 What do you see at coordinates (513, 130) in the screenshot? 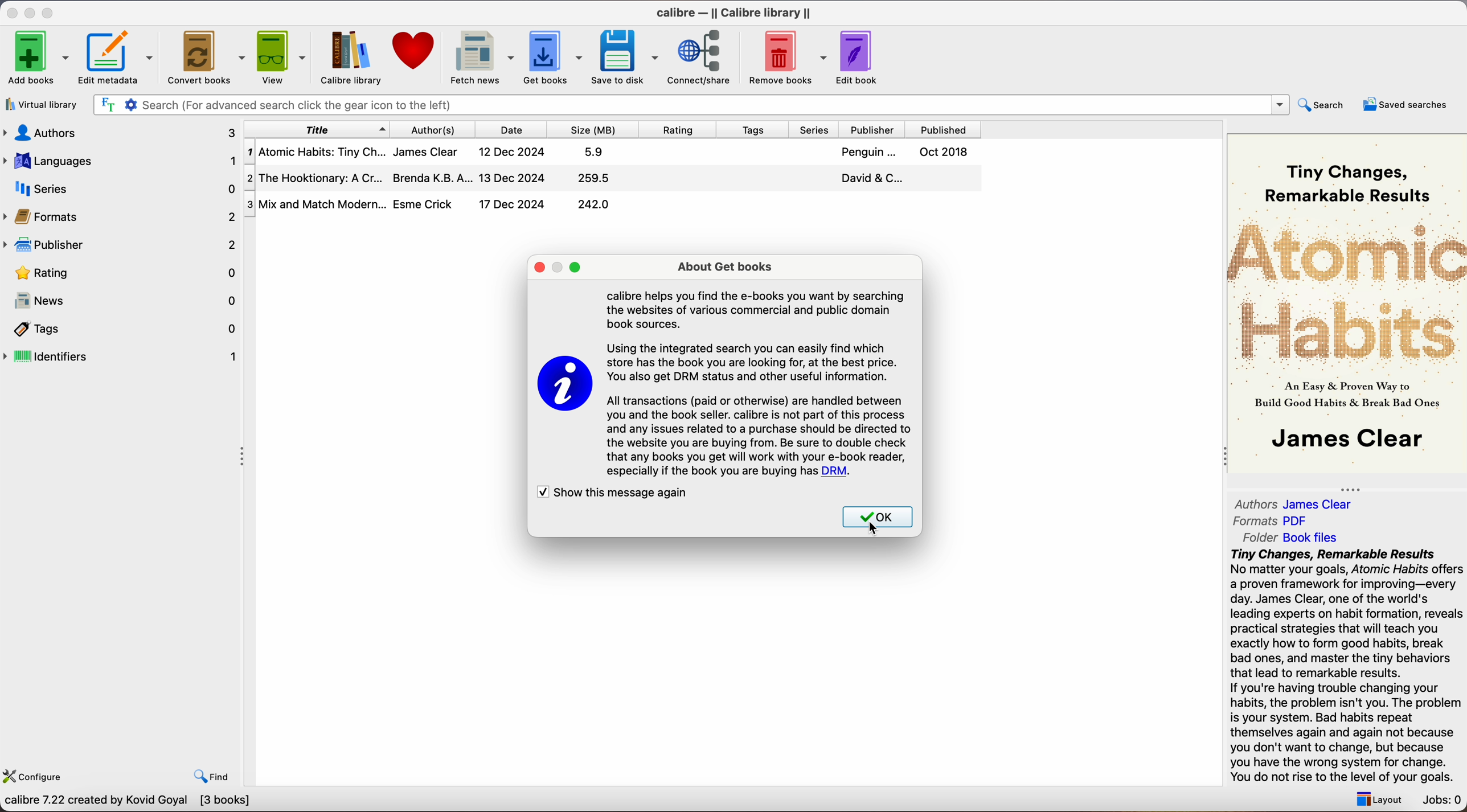
I see `Date` at bounding box center [513, 130].